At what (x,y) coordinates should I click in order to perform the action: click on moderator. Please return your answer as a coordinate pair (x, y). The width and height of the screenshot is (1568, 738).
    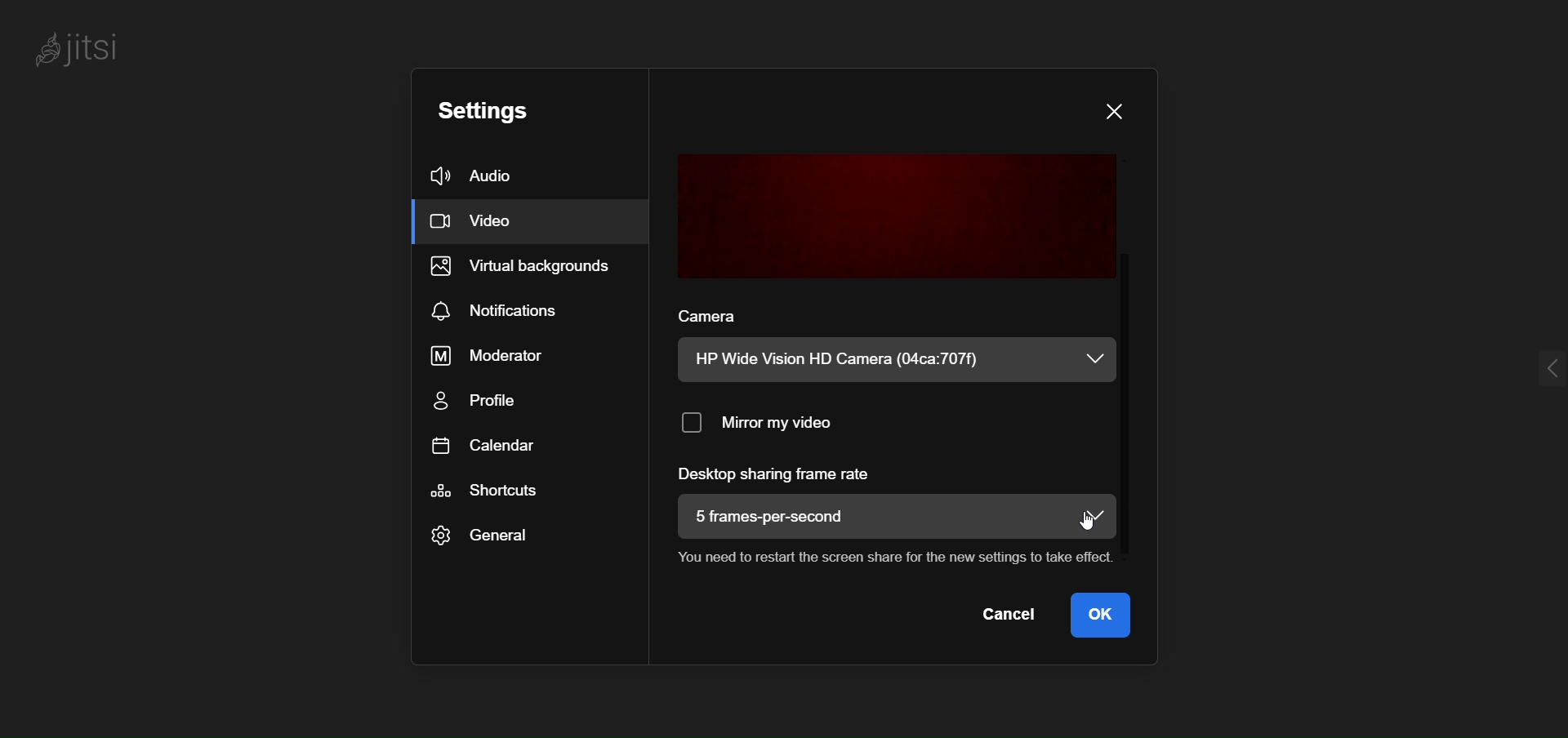
    Looking at the image, I should click on (494, 354).